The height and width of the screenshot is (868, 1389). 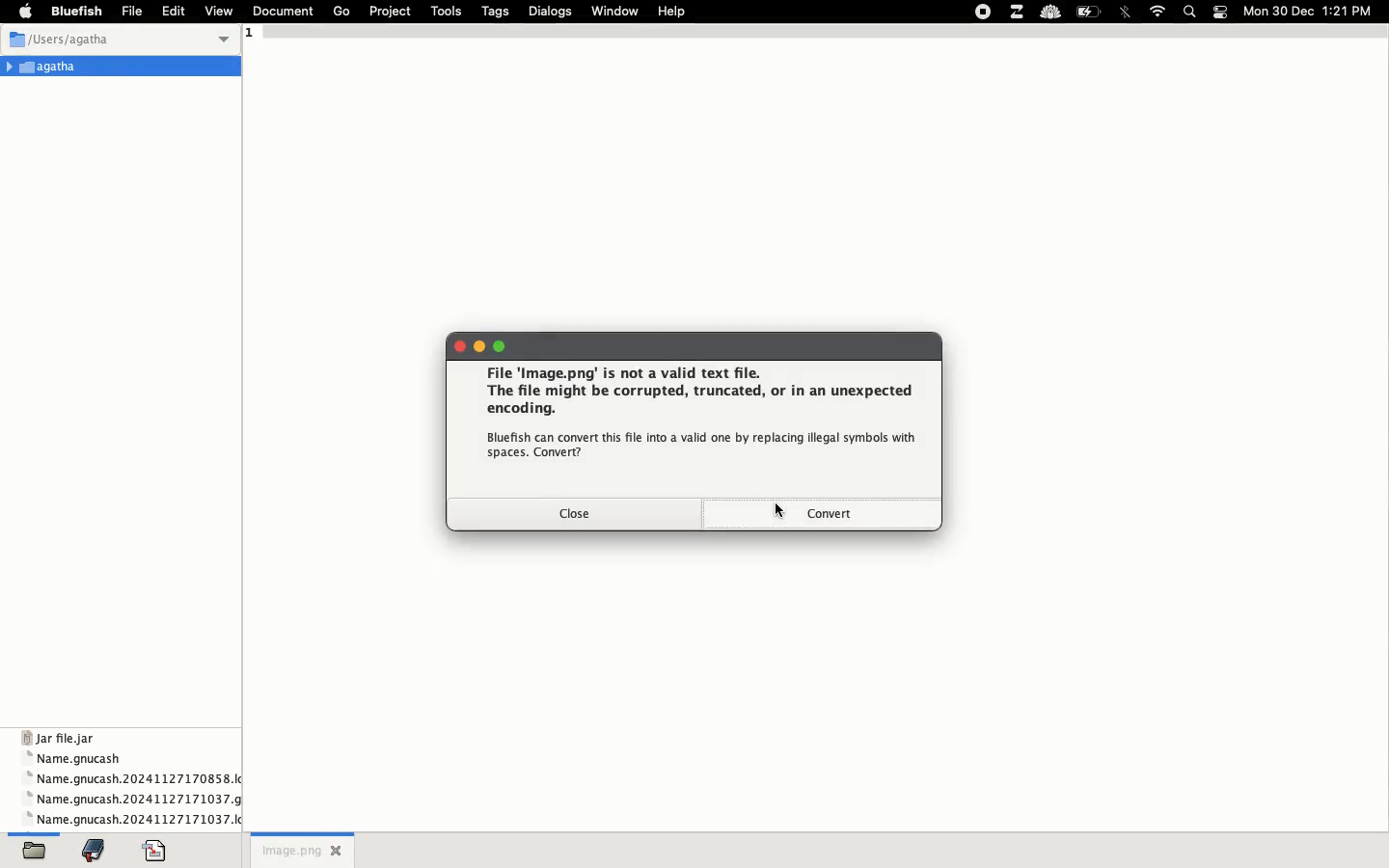 I want to click on open, so click(x=35, y=850).